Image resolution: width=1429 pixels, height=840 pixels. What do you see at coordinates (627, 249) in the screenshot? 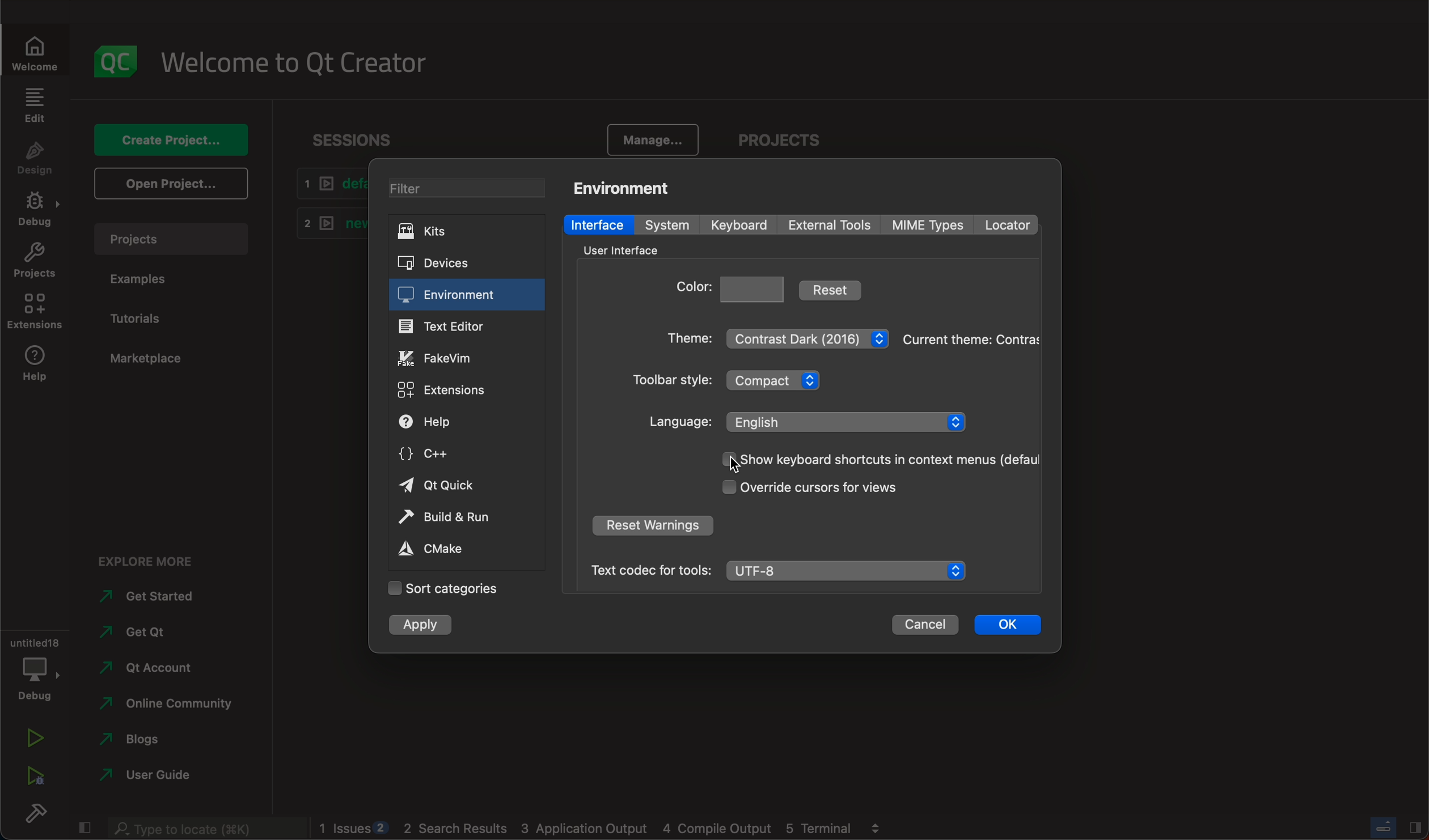
I see `user interface` at bounding box center [627, 249].